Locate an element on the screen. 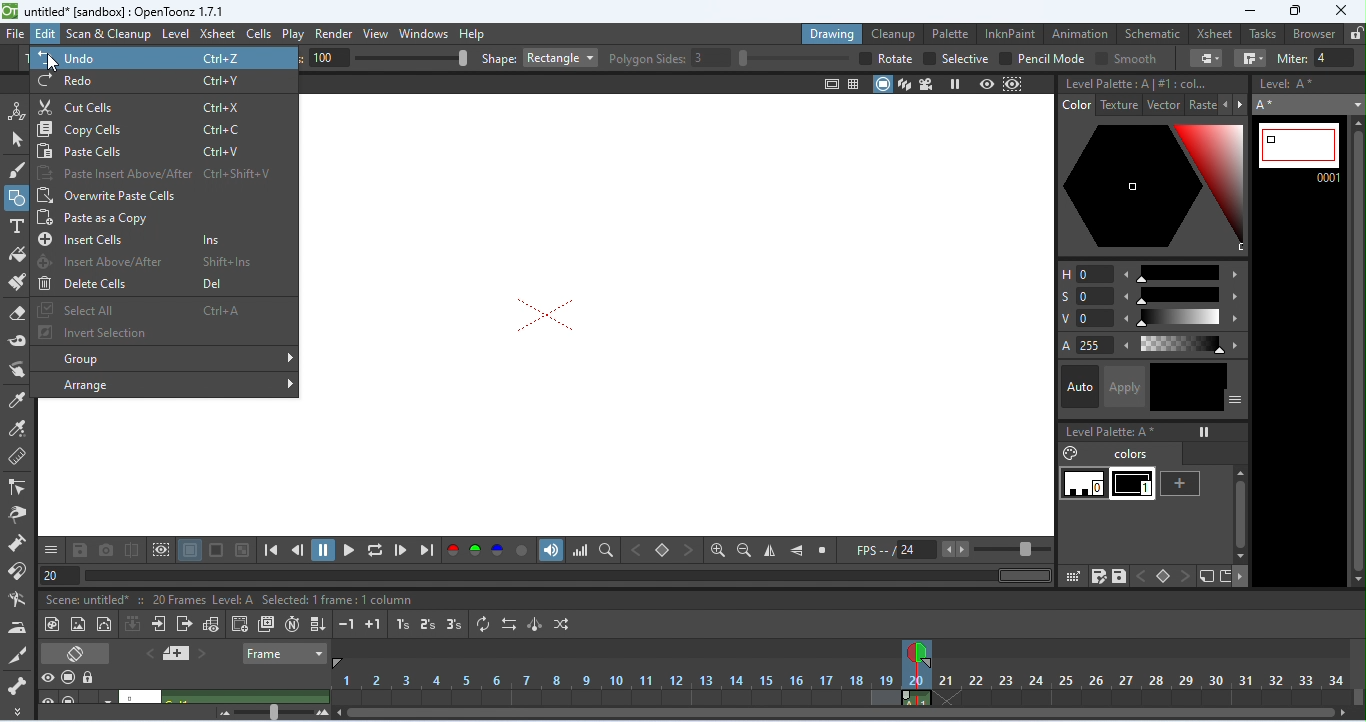 This screenshot has width=1366, height=722. apply is located at coordinates (1130, 387).